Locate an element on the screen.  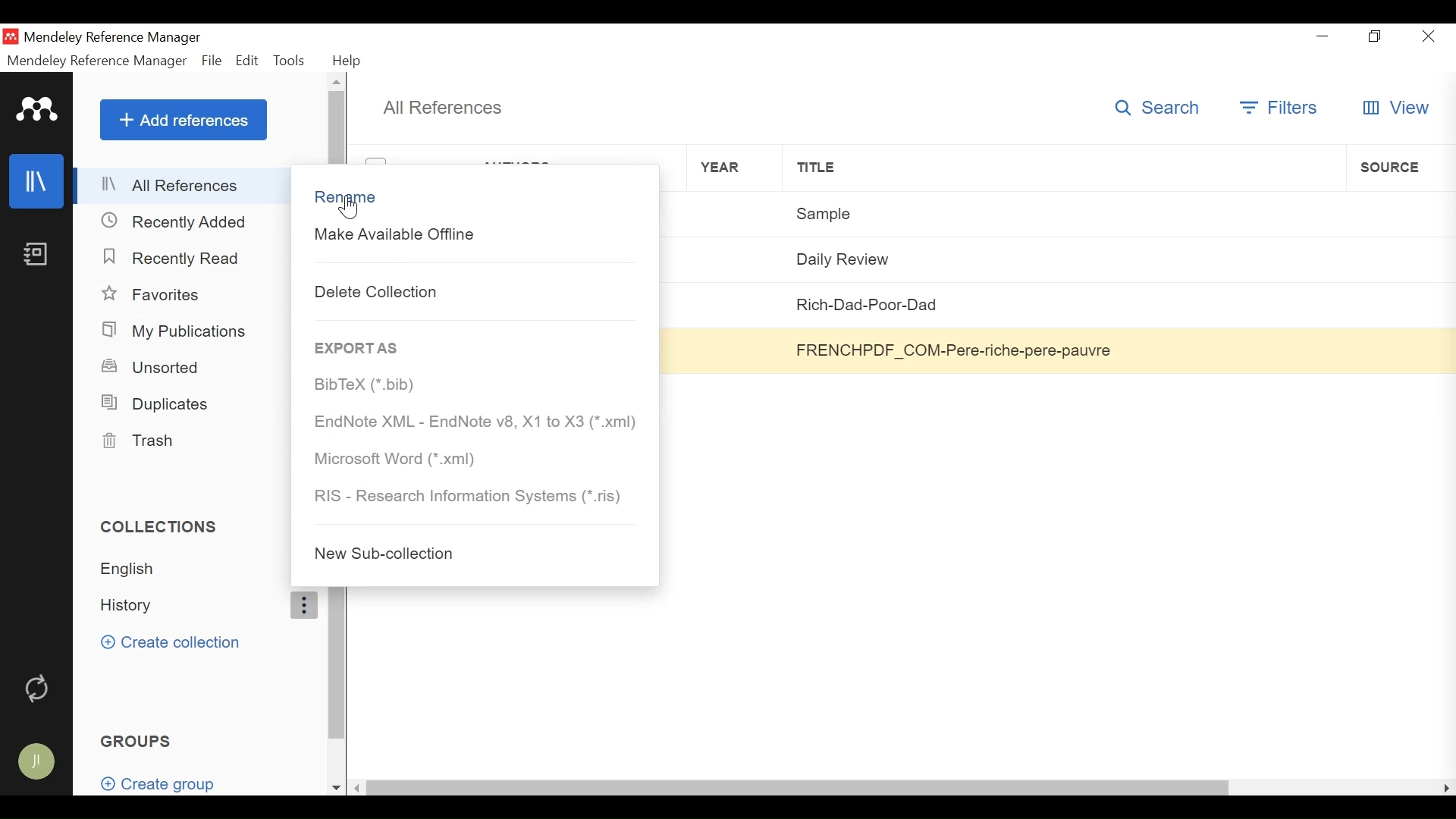
Edit is located at coordinates (248, 61).